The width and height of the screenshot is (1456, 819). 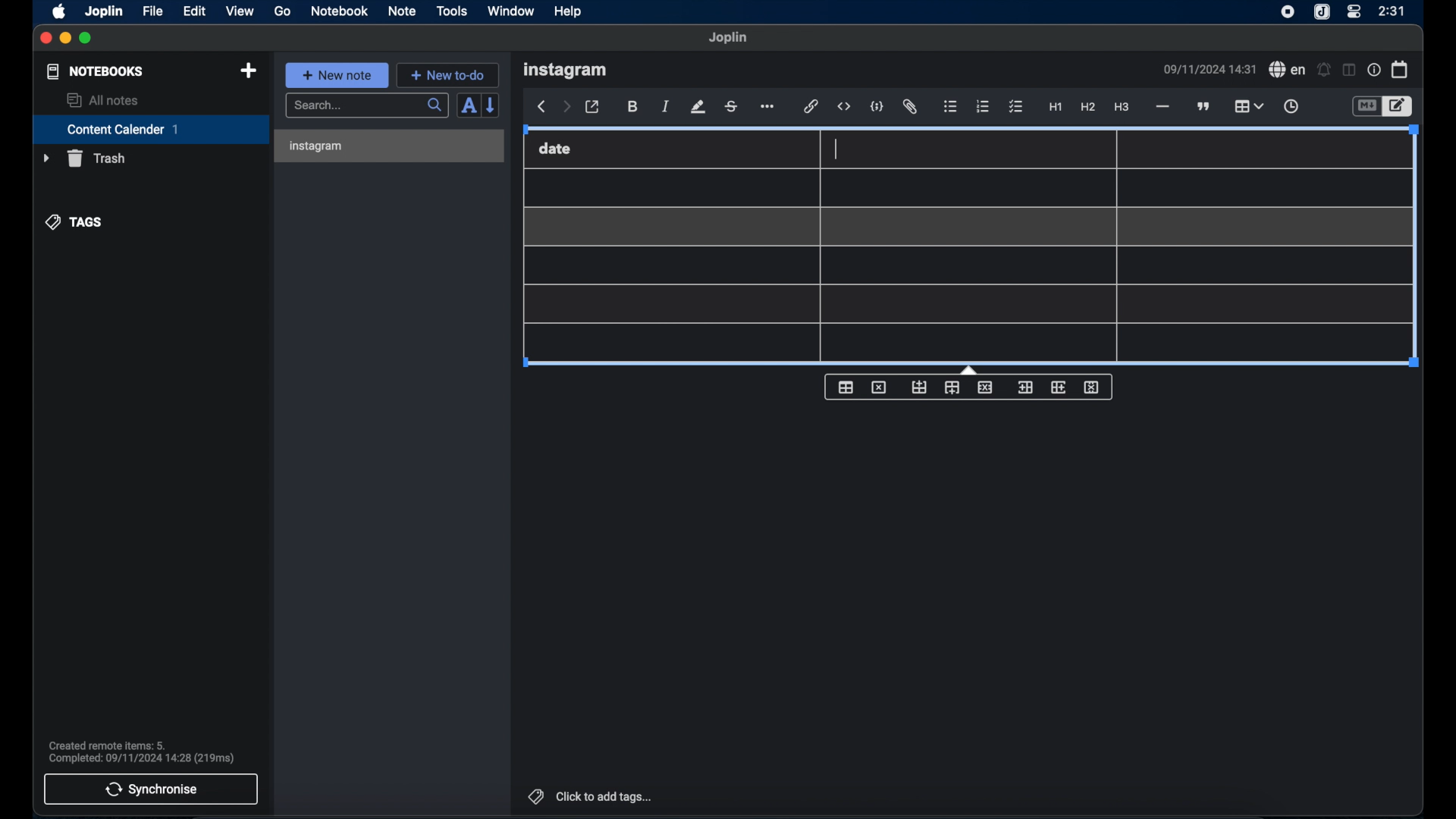 I want to click on calendar icon, so click(x=1401, y=70).